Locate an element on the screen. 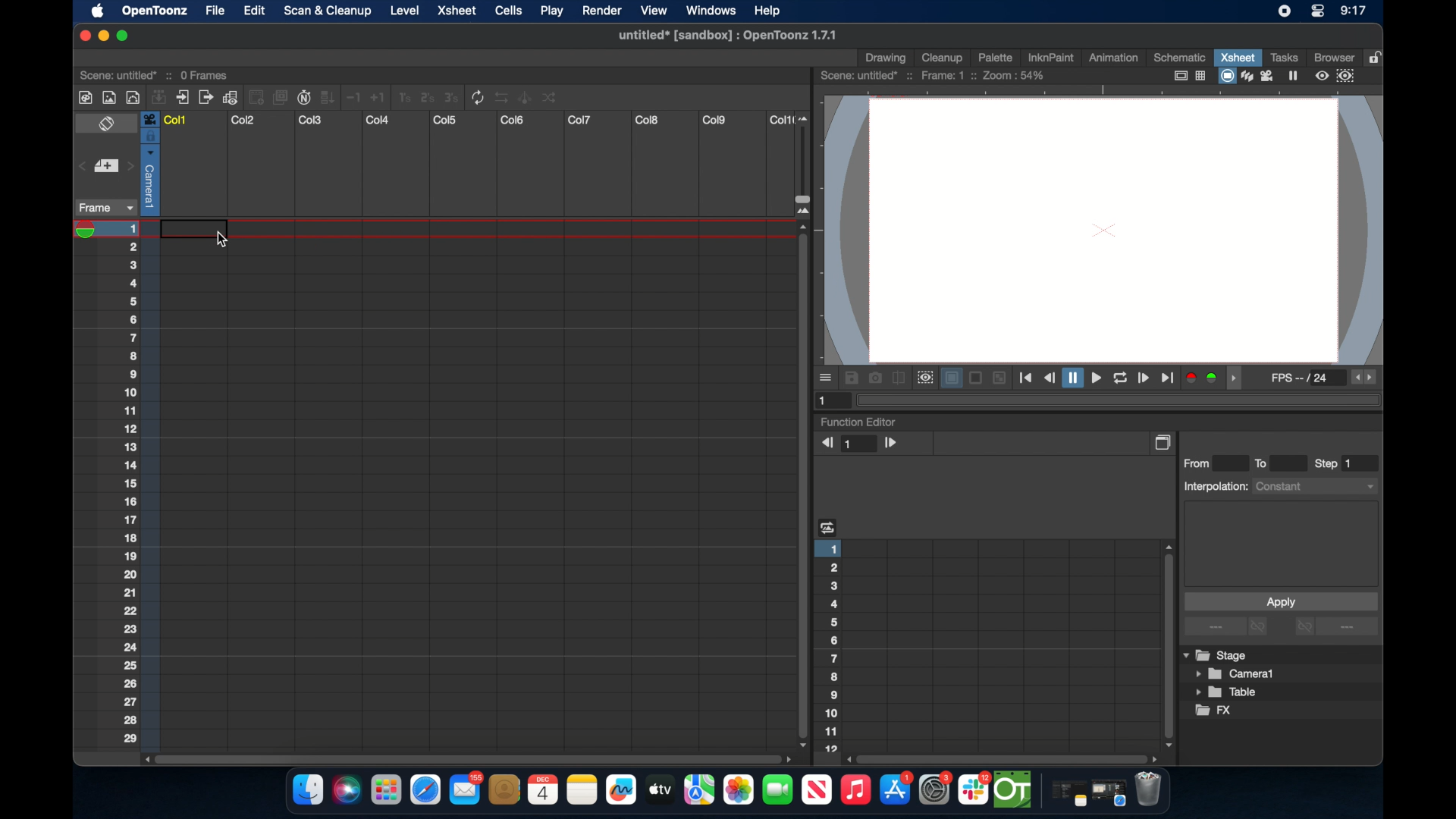 Image resolution: width=1456 pixels, height=819 pixels. apple tv is located at coordinates (659, 789).